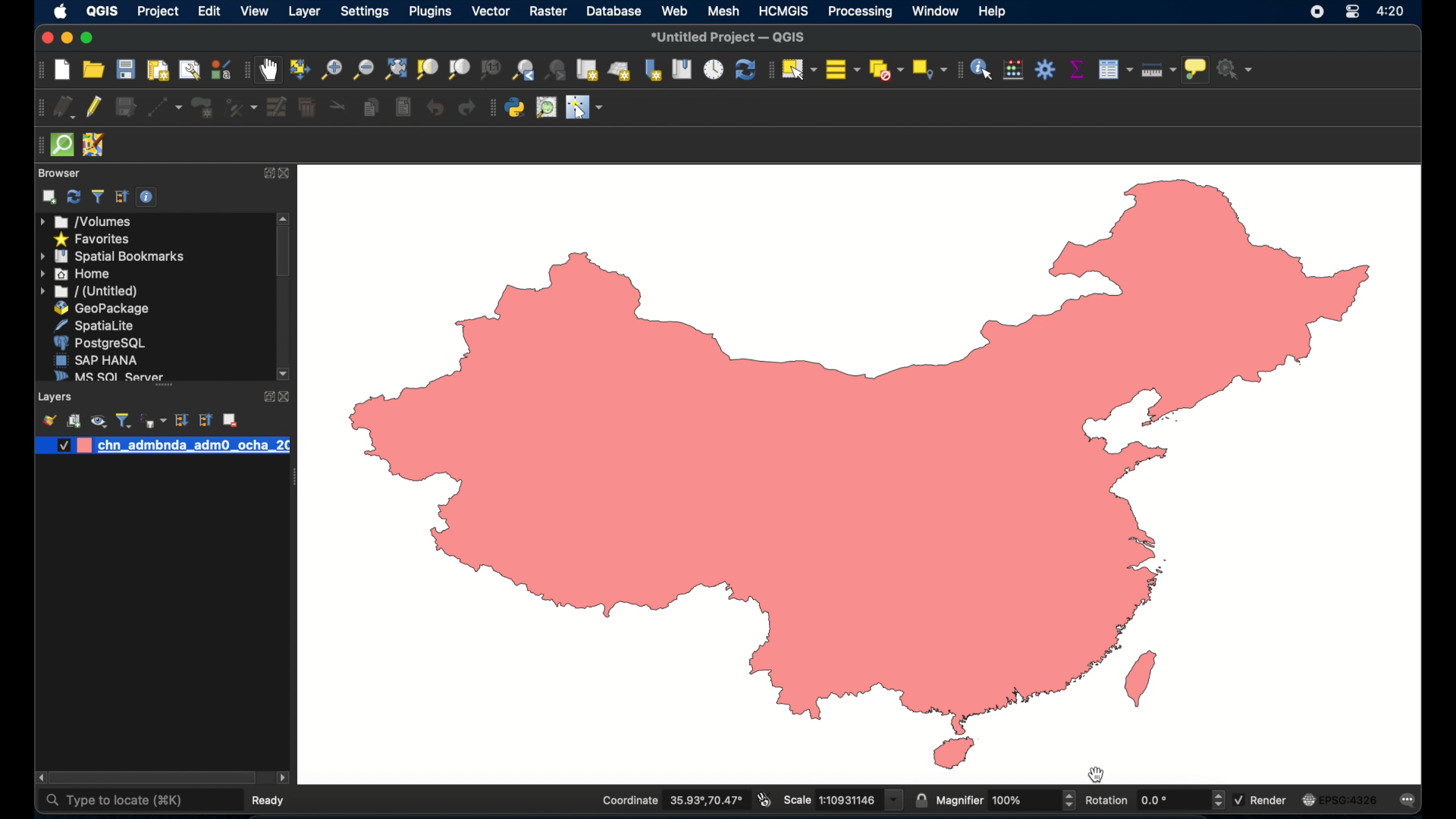  I want to click on drag handle, so click(293, 479).